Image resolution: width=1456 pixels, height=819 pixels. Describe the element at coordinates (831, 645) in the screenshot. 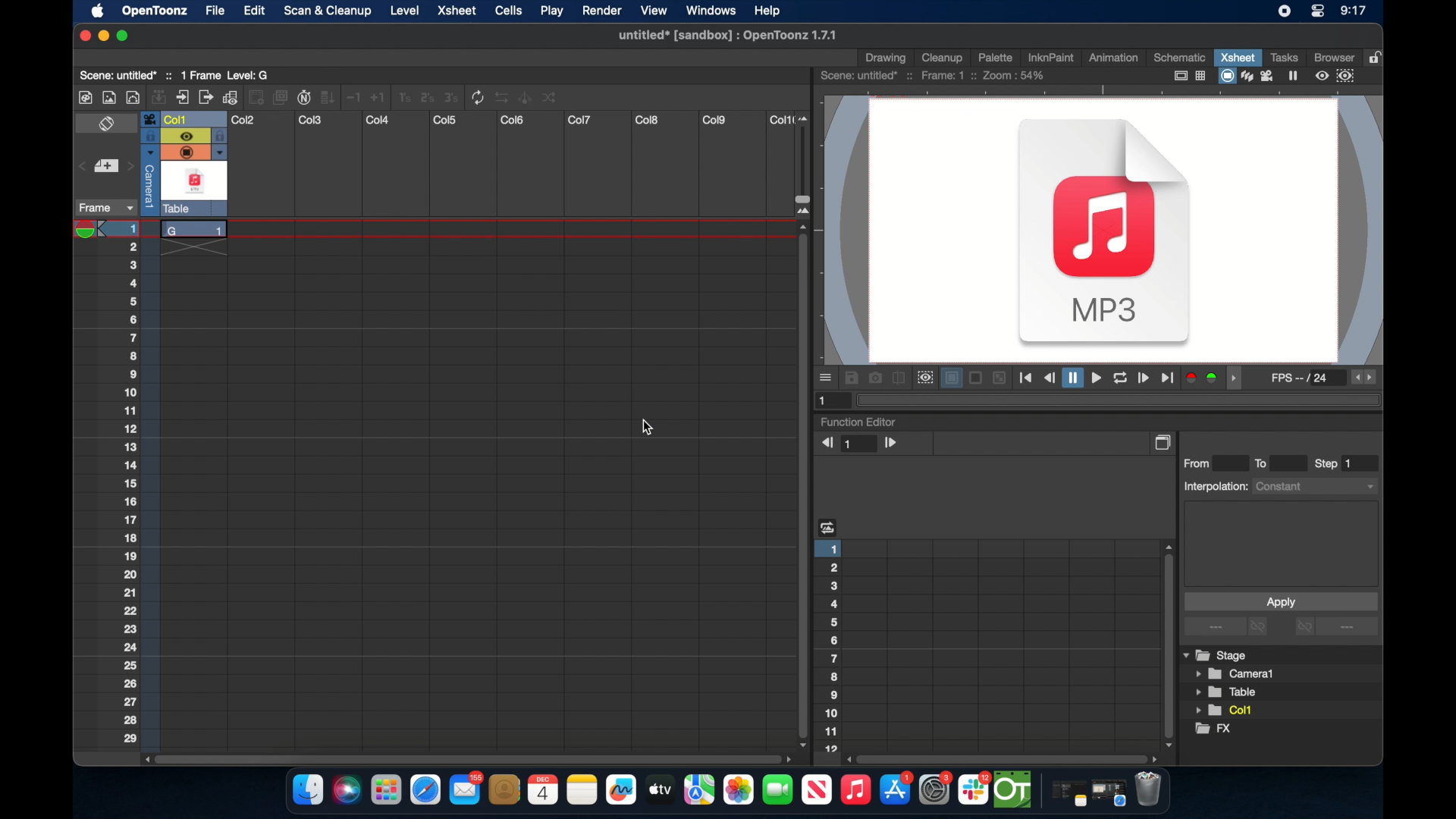

I see `numbering` at that location.